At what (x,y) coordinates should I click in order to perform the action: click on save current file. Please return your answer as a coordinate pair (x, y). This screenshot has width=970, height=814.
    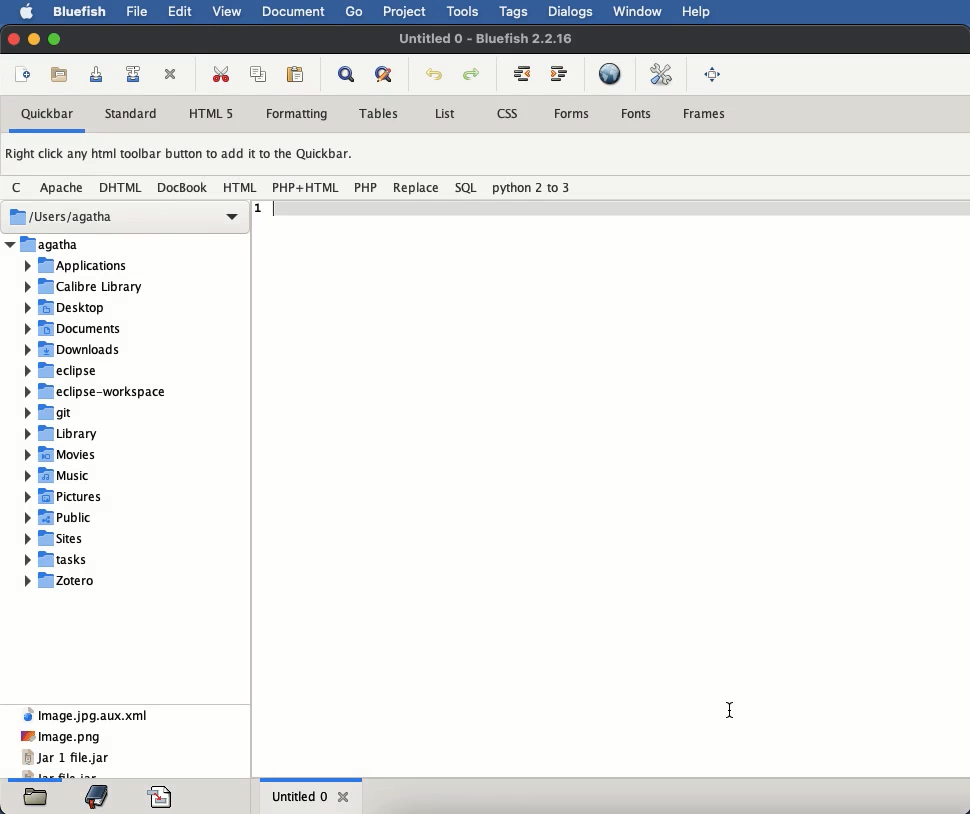
    Looking at the image, I should click on (101, 75).